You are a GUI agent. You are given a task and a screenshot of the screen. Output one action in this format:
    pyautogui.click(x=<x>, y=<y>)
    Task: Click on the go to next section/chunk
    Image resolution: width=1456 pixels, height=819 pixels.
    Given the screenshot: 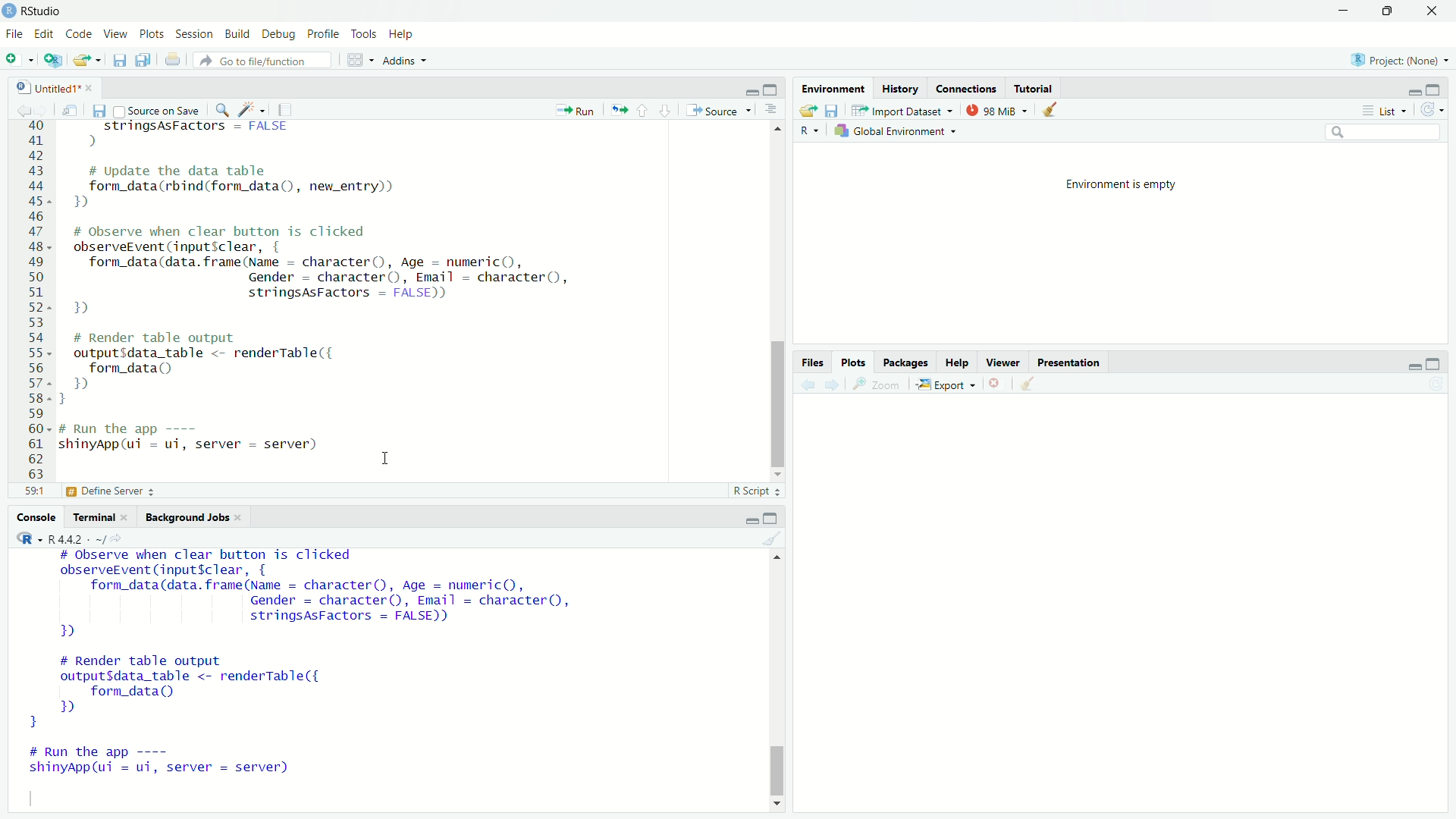 What is the action you would take?
    pyautogui.click(x=664, y=109)
    